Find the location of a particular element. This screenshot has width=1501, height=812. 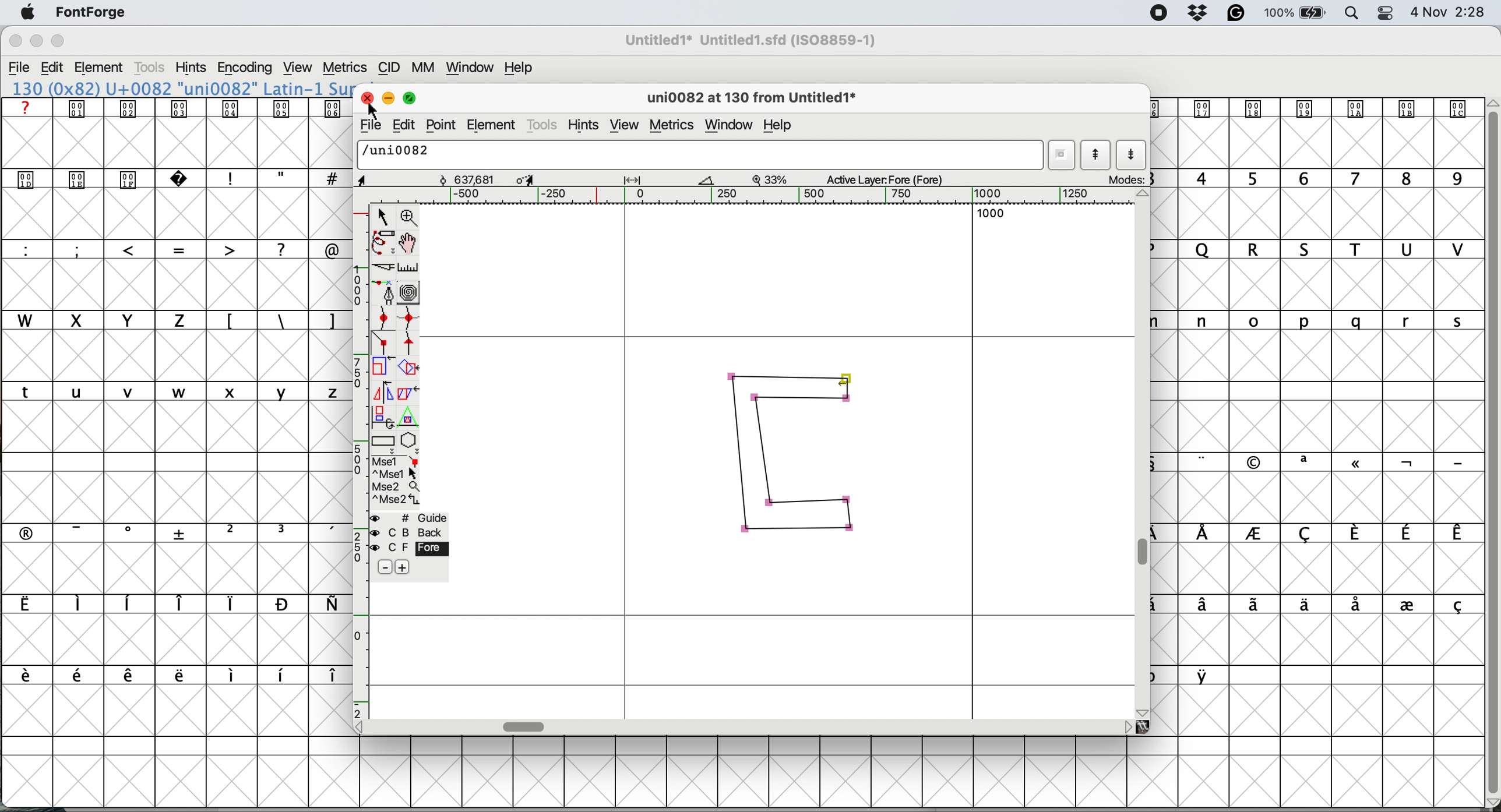

file is located at coordinates (20, 68).